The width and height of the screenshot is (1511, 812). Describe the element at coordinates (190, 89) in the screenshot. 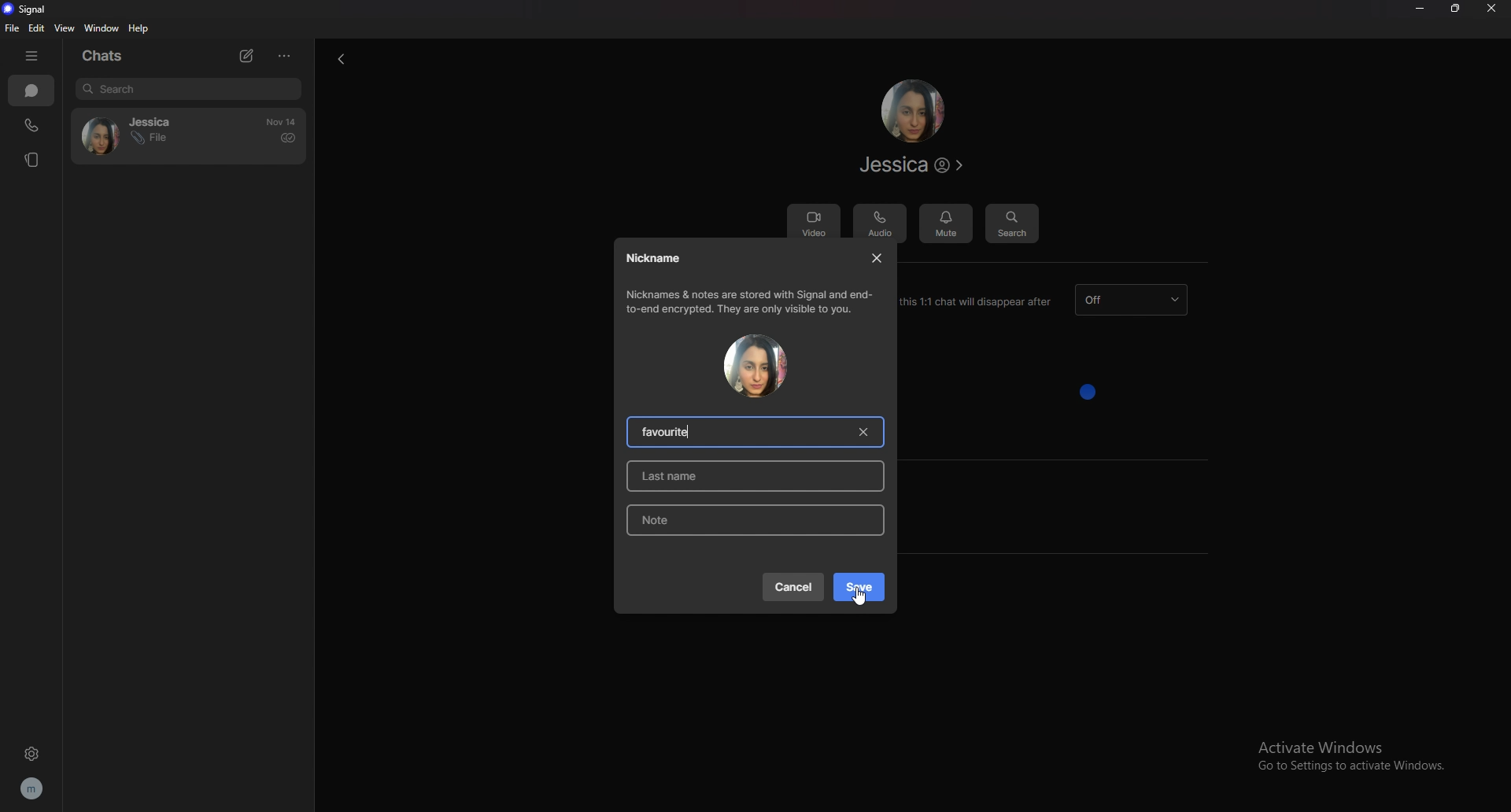

I see `search` at that location.